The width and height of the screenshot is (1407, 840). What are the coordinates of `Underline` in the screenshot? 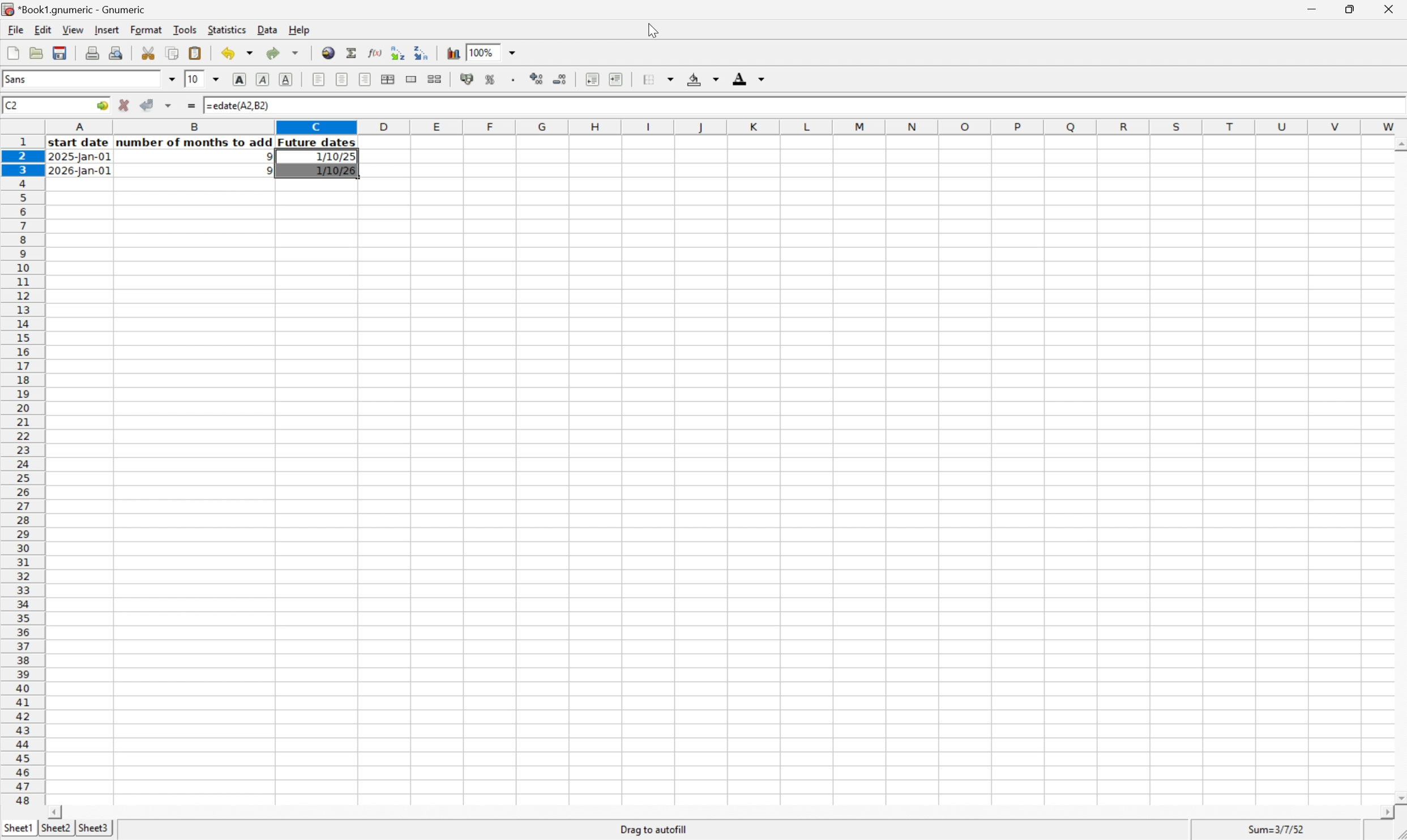 It's located at (288, 79).